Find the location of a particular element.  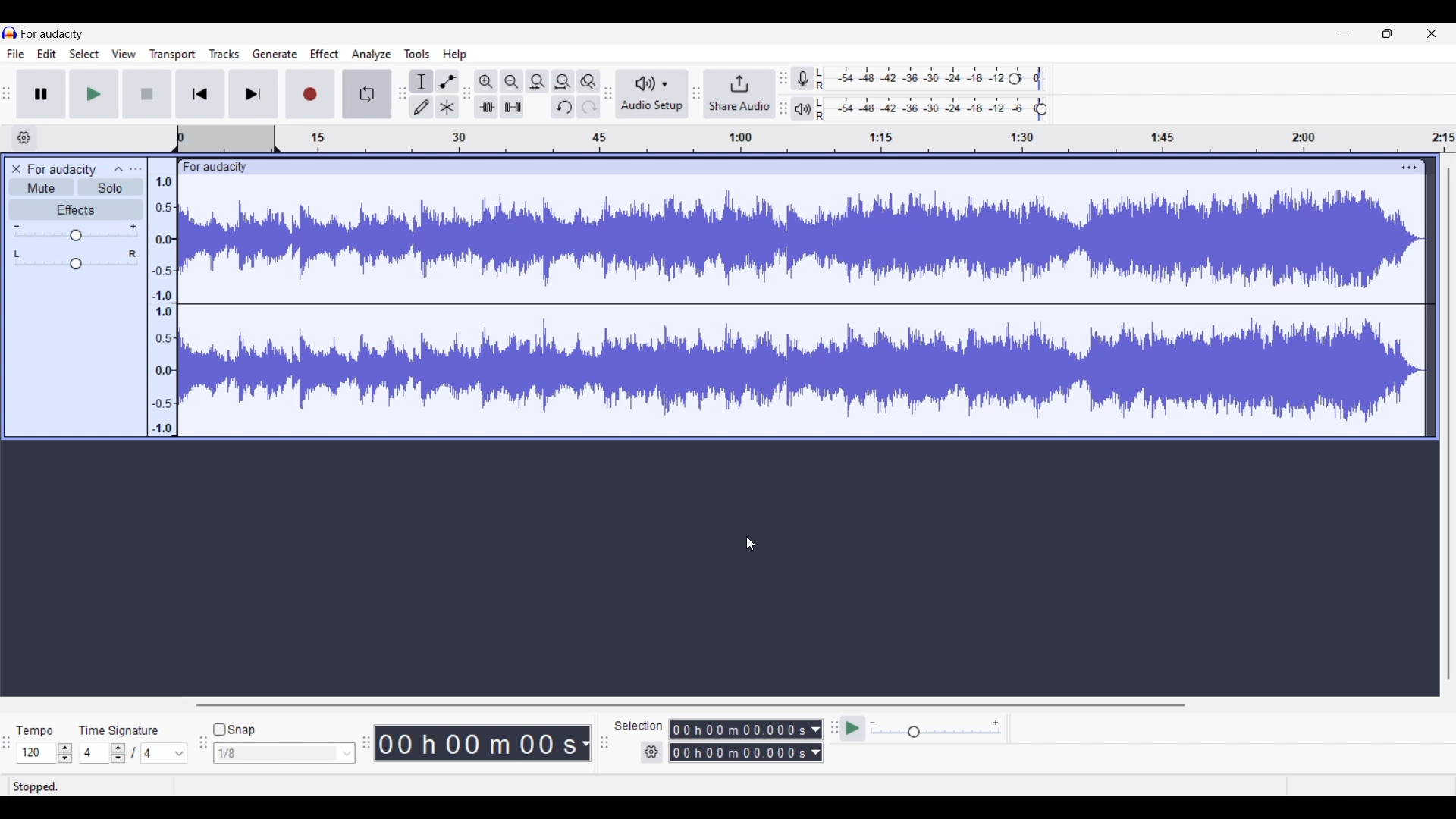

Select menu is located at coordinates (85, 54).